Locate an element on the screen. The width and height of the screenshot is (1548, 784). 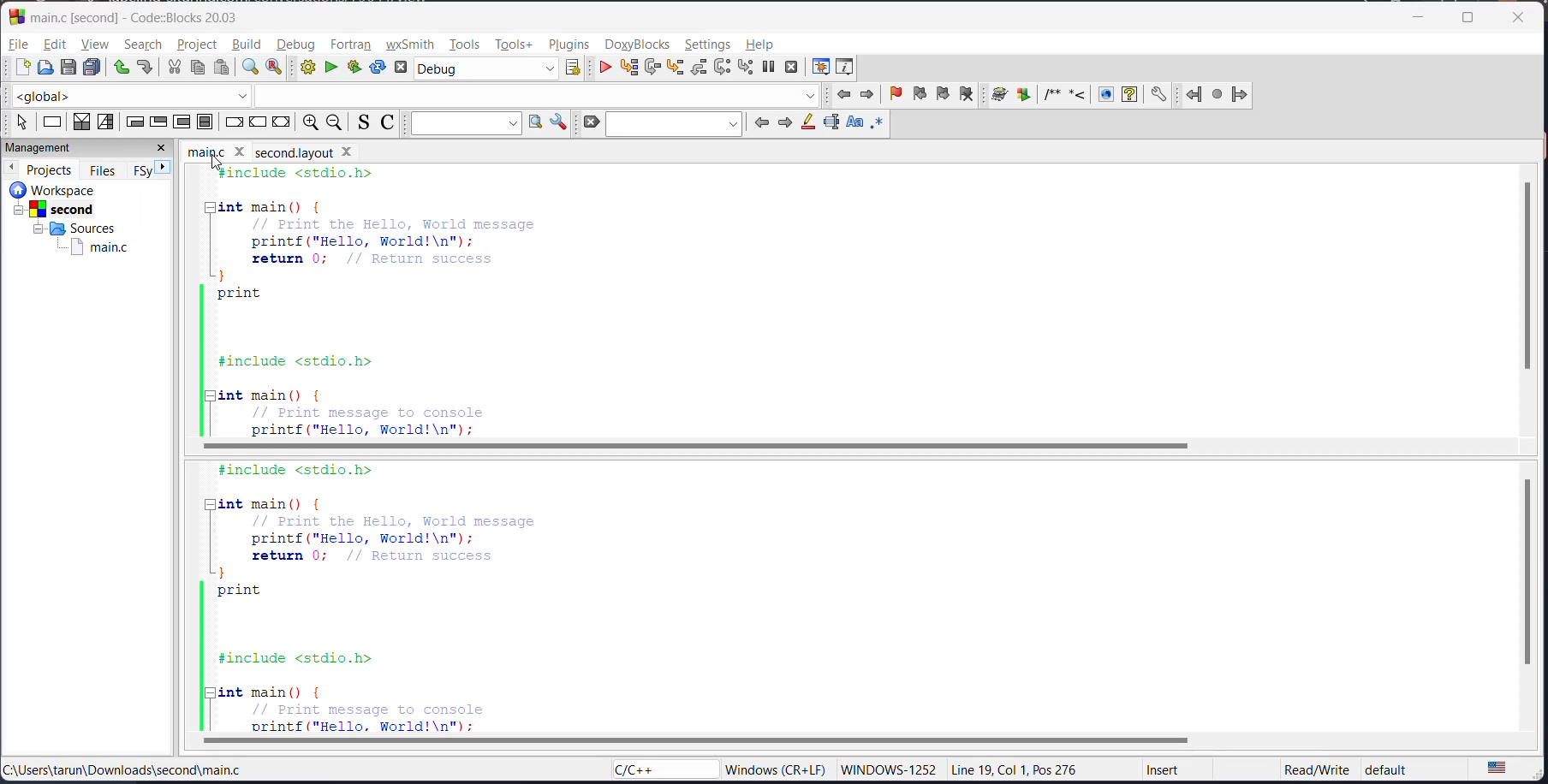
next is located at coordinates (163, 166).